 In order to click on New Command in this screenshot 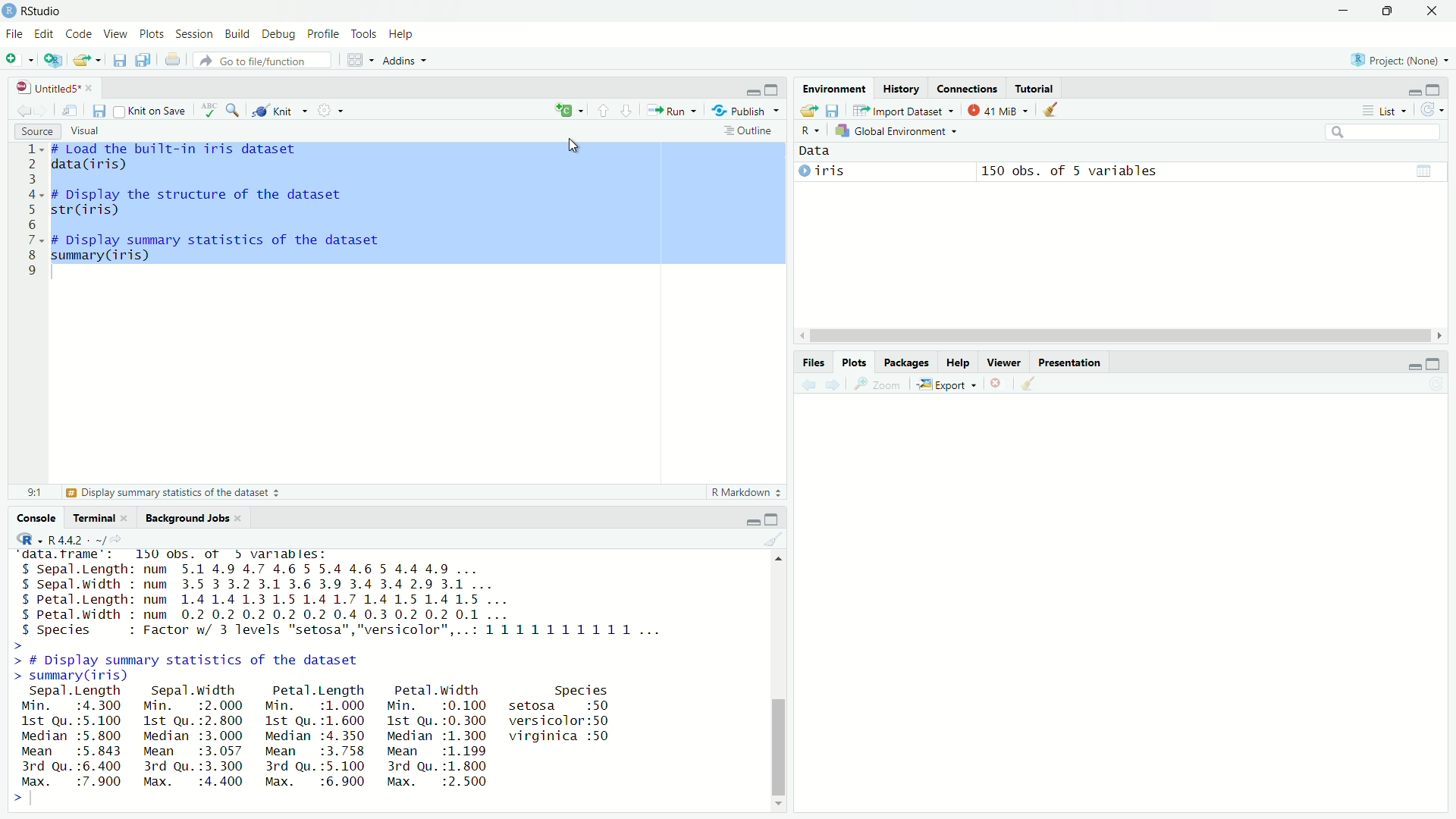, I will do `click(570, 108)`.